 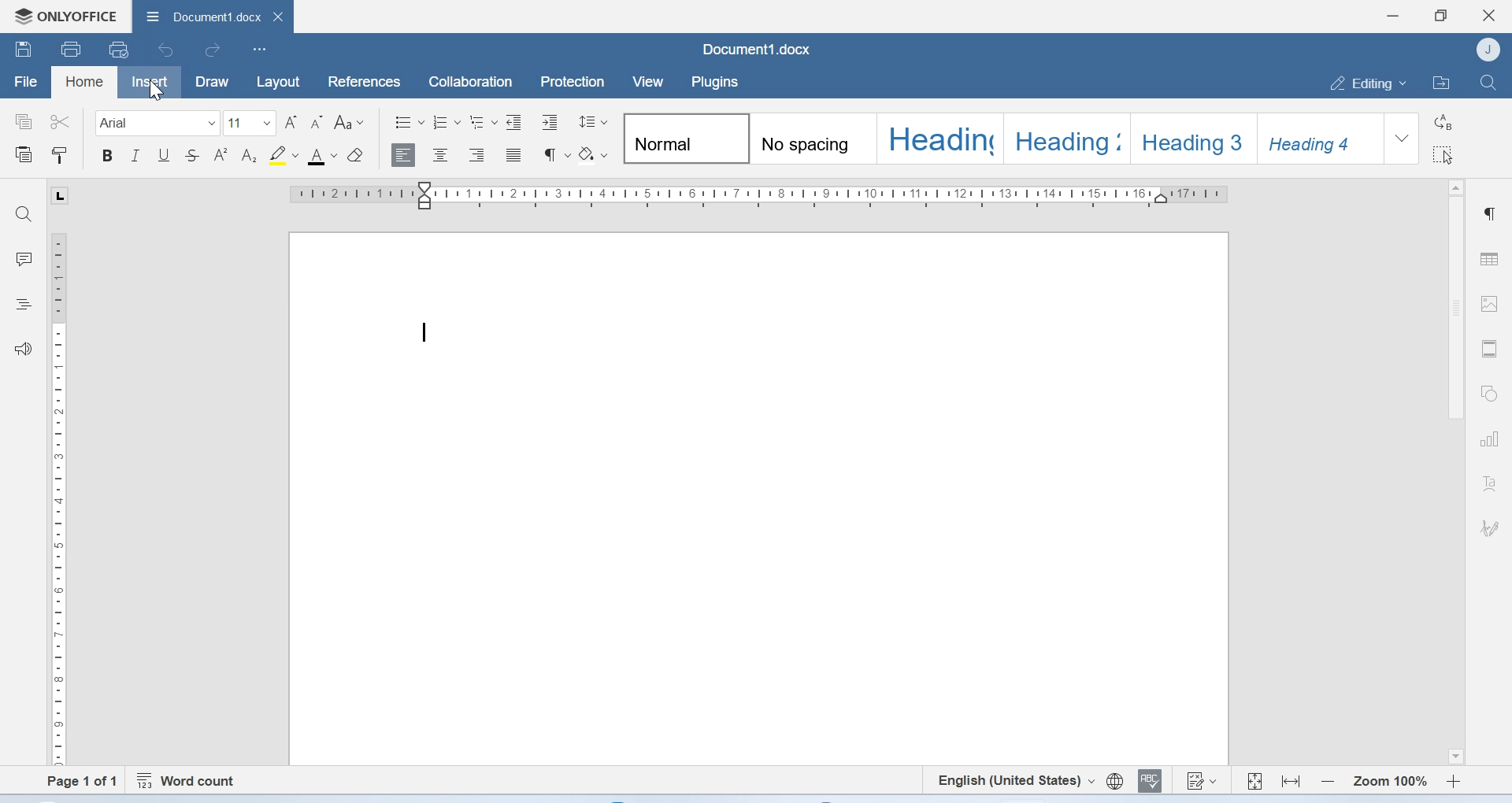 I want to click on Track changes, so click(x=1203, y=783).